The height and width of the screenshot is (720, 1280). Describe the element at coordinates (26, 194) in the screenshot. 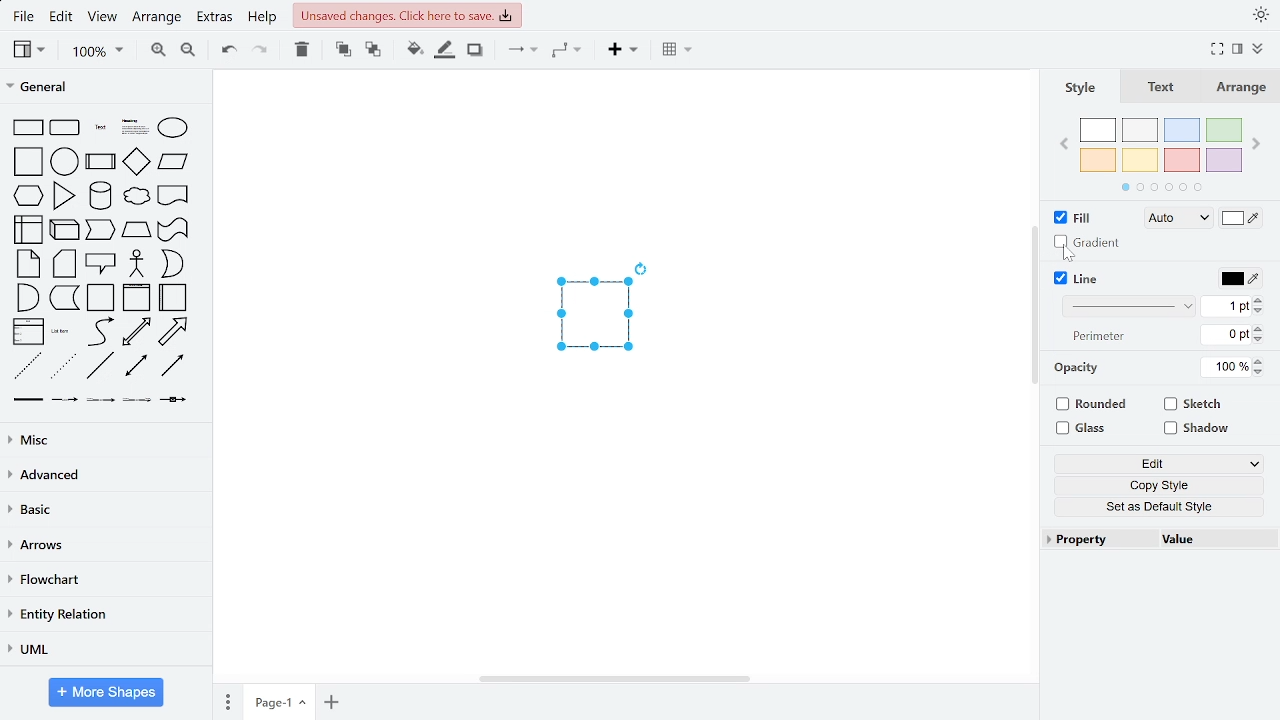

I see `general shapes` at that location.